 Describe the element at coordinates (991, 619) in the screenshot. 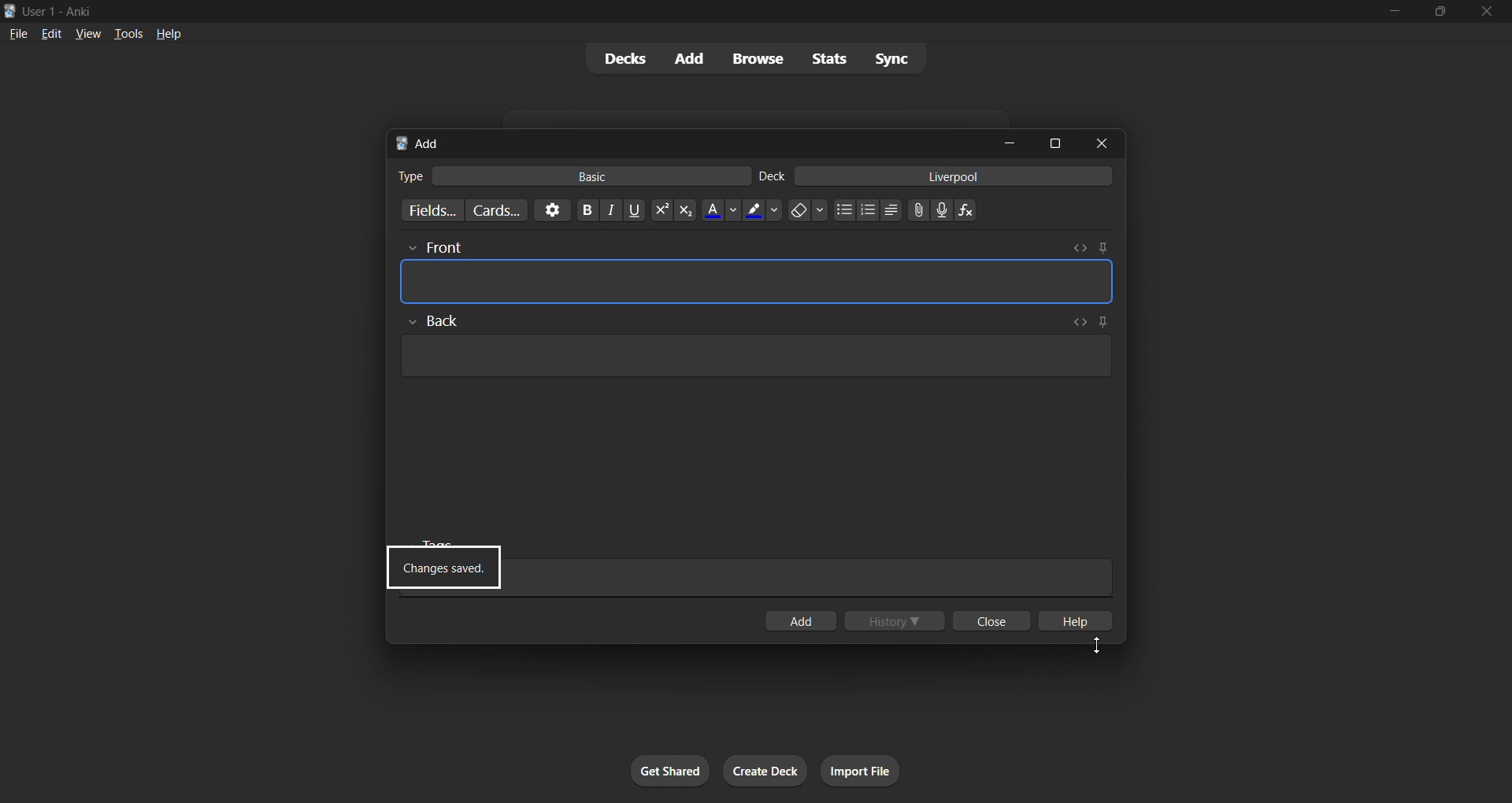

I see `close` at that location.